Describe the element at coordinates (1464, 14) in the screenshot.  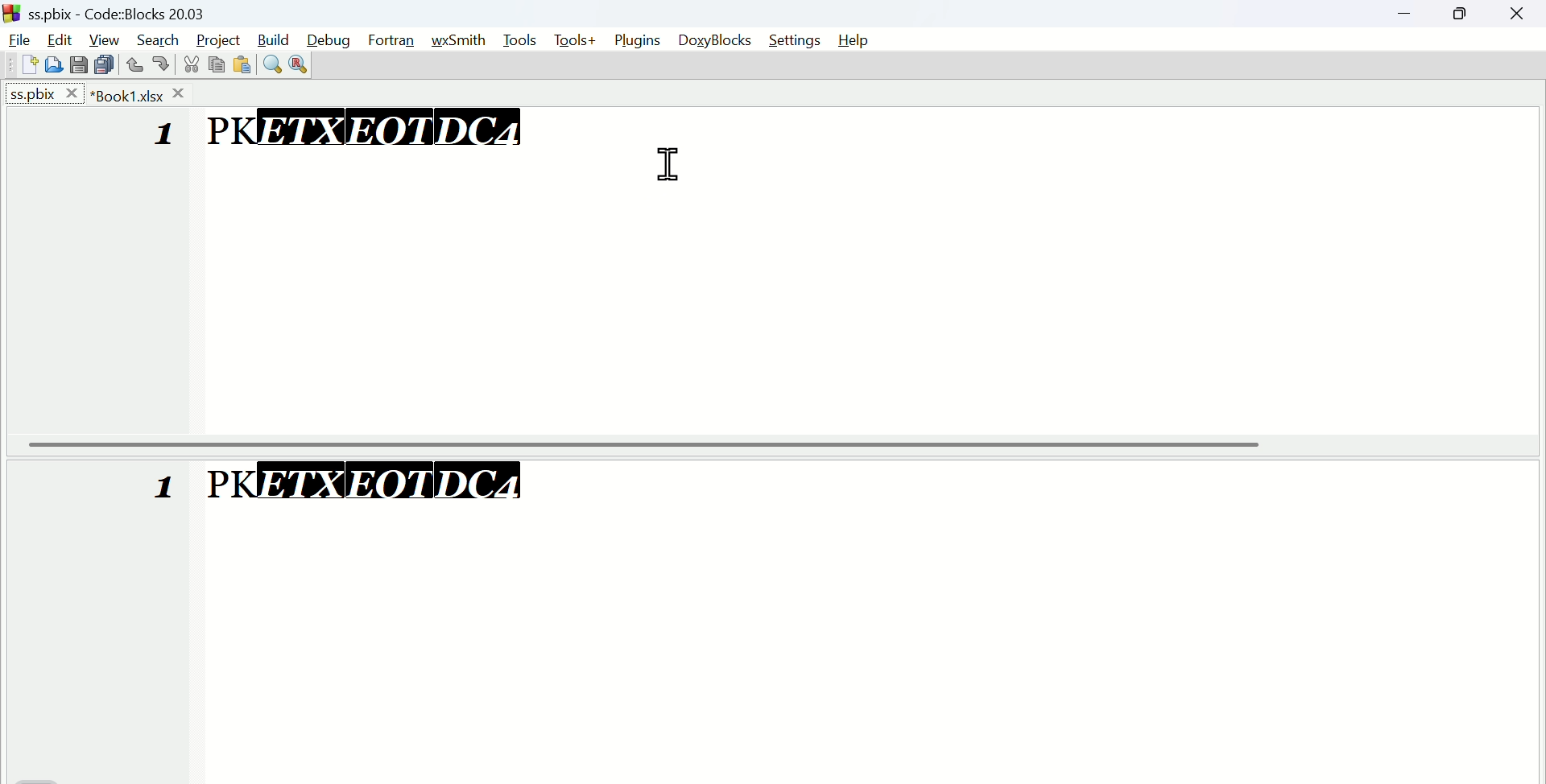
I see `Maximise` at that location.